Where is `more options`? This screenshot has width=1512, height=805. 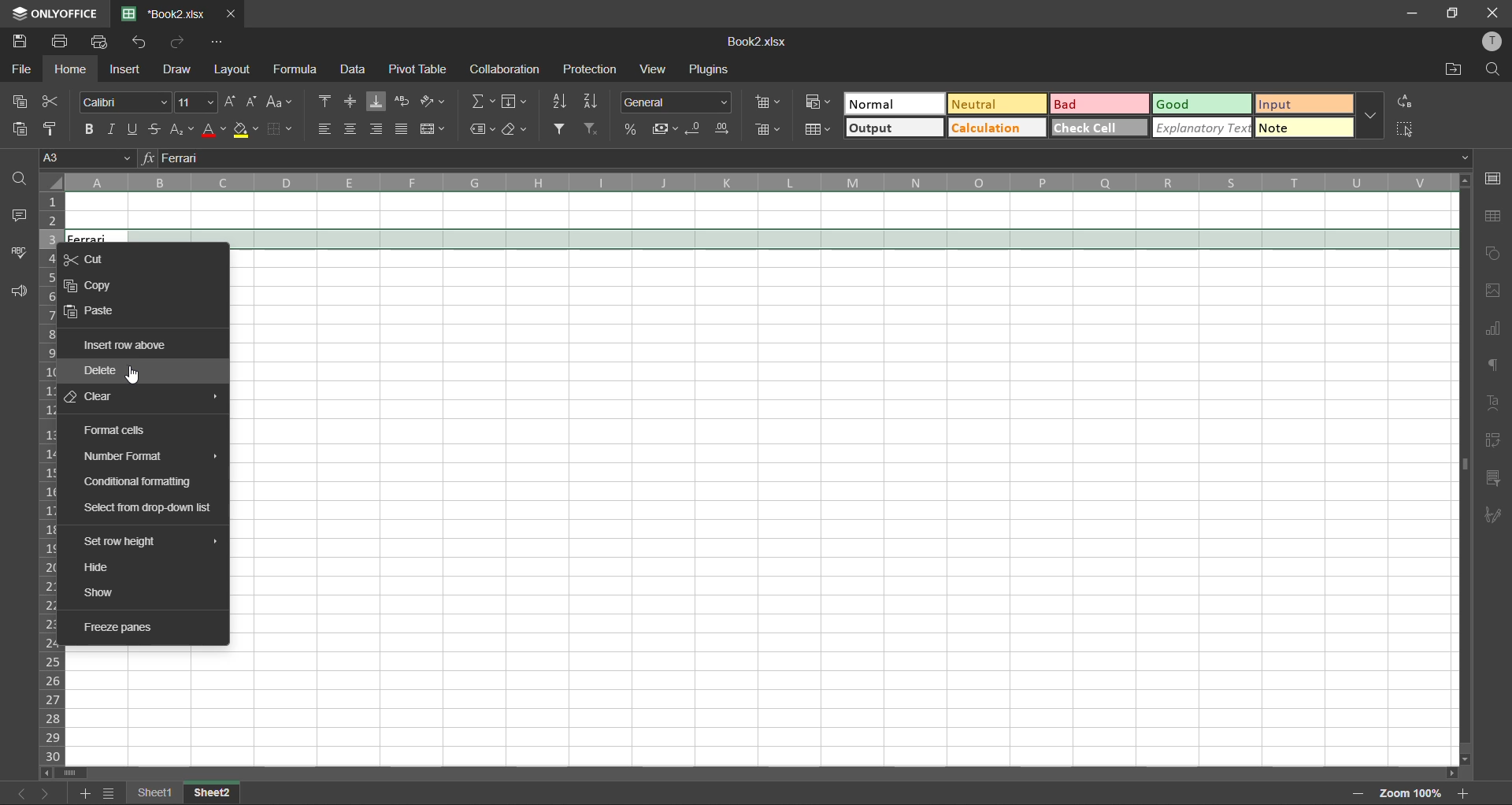
more options is located at coordinates (1367, 114).